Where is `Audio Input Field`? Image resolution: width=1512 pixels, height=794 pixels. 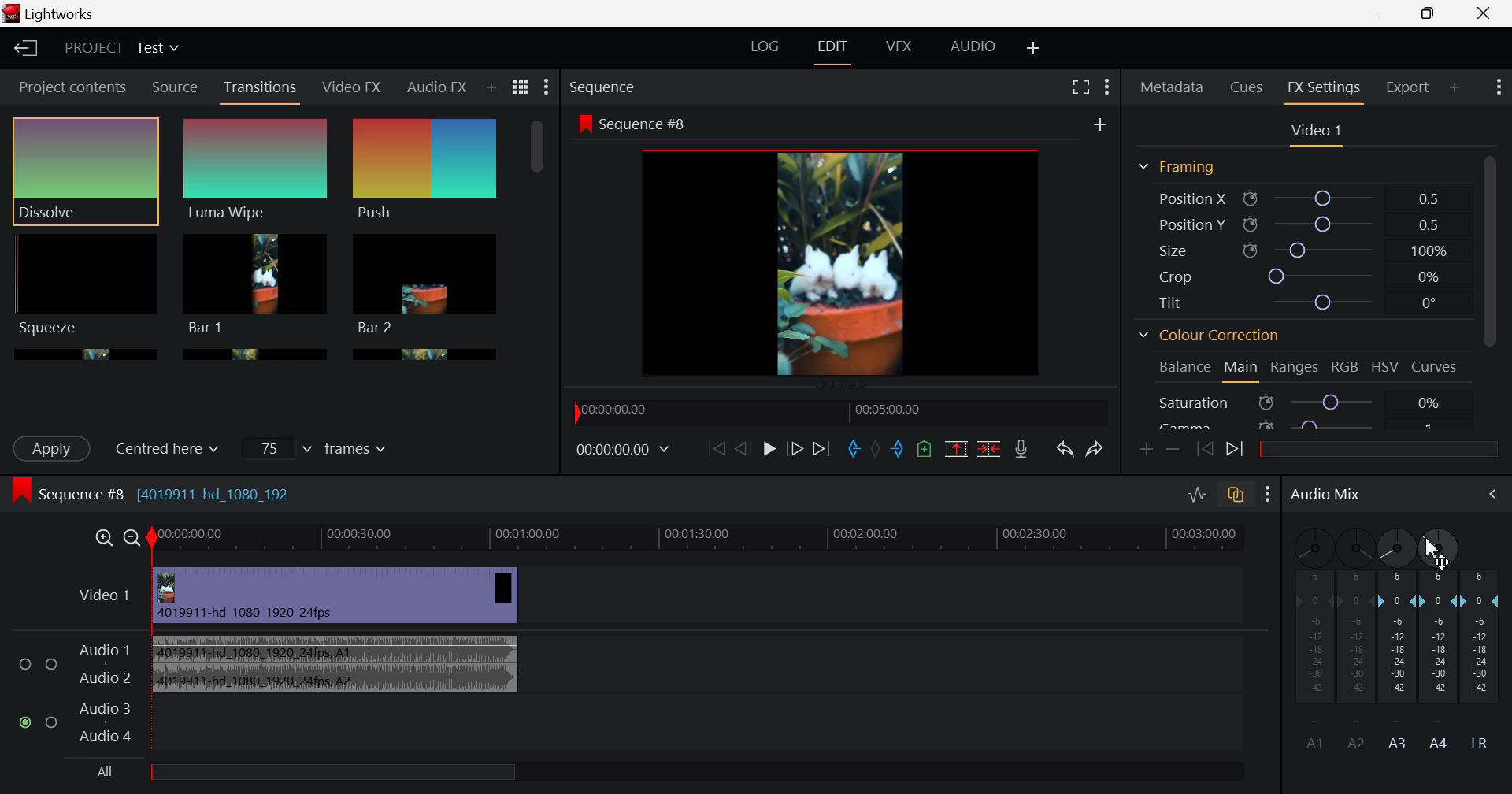 Audio Input Field is located at coordinates (643, 690).